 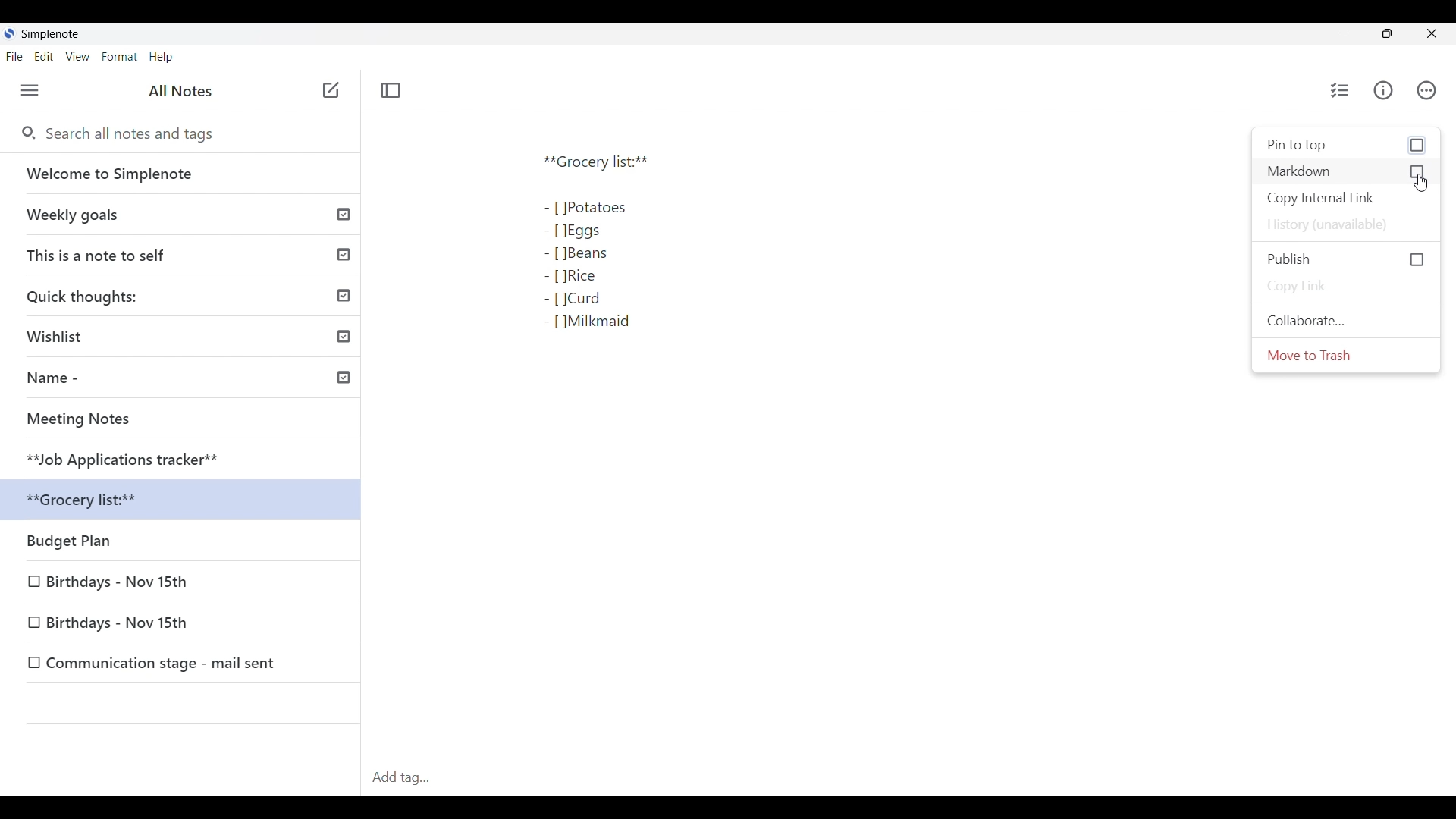 What do you see at coordinates (1348, 287) in the screenshot?
I see `Copy link` at bounding box center [1348, 287].